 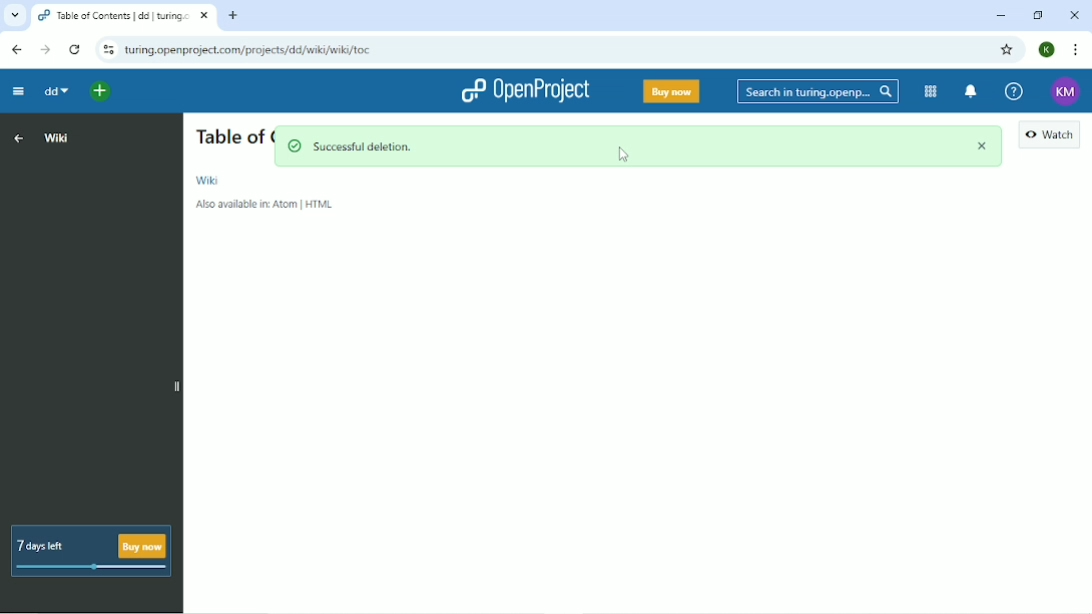 What do you see at coordinates (228, 138) in the screenshot?
I see `Table of contents` at bounding box center [228, 138].